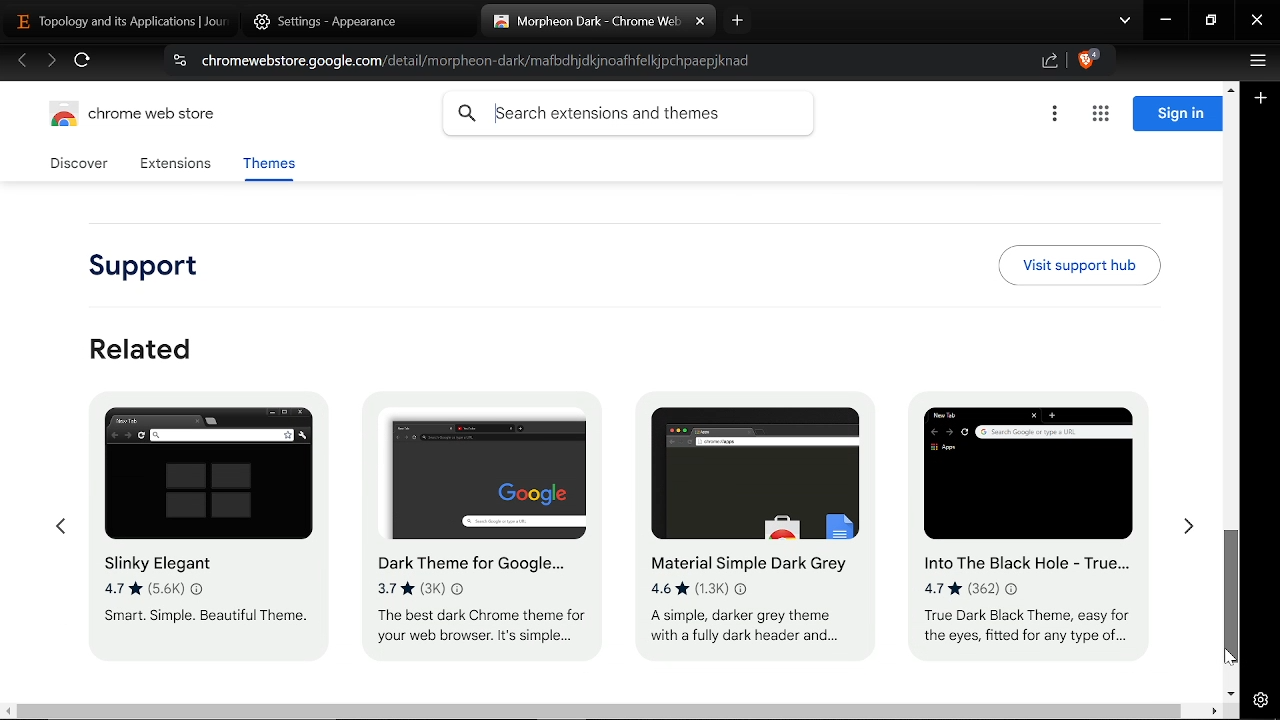  I want to click on Related, so click(142, 348).